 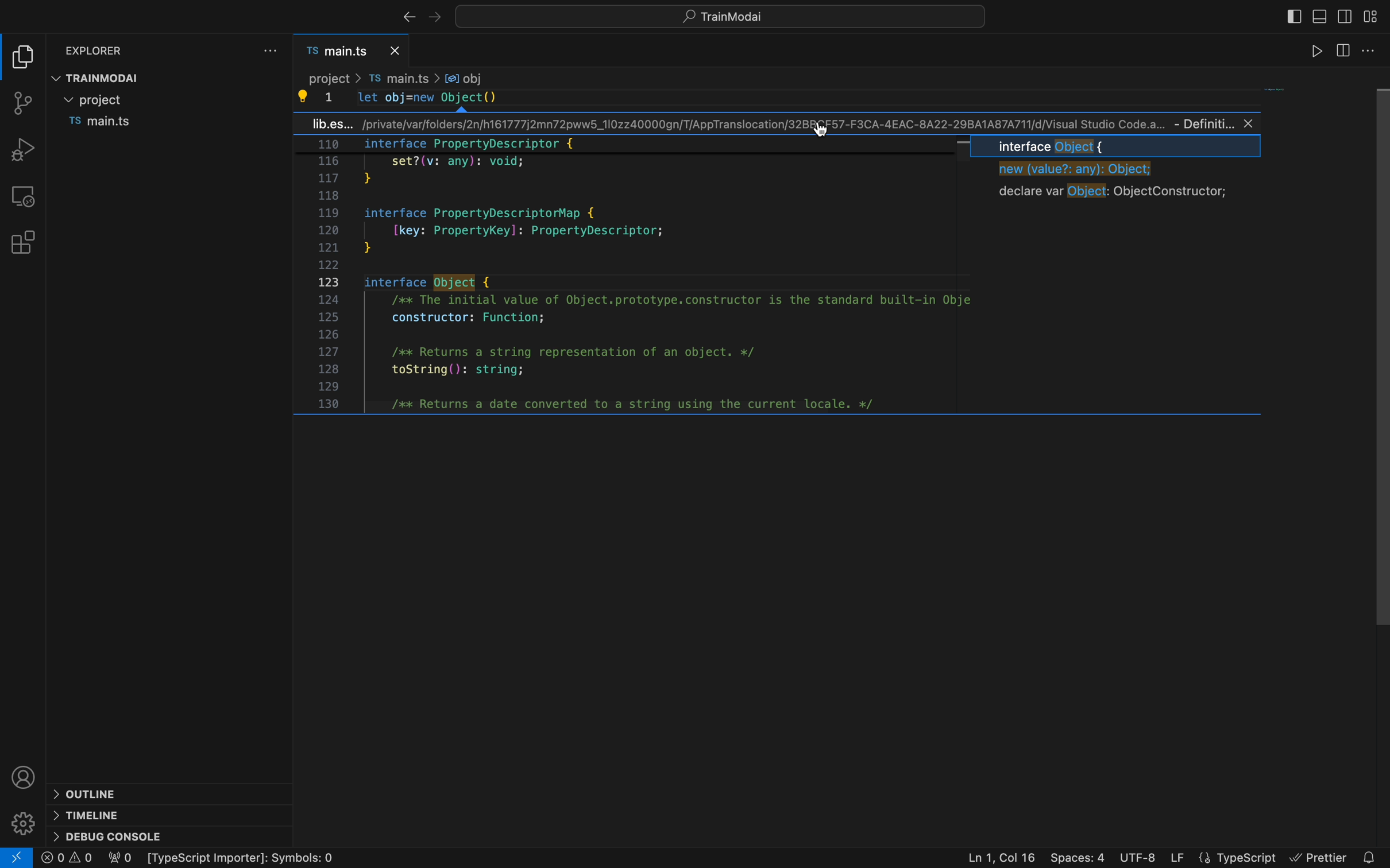 What do you see at coordinates (435, 17) in the screenshot?
I see `left arrow` at bounding box center [435, 17].